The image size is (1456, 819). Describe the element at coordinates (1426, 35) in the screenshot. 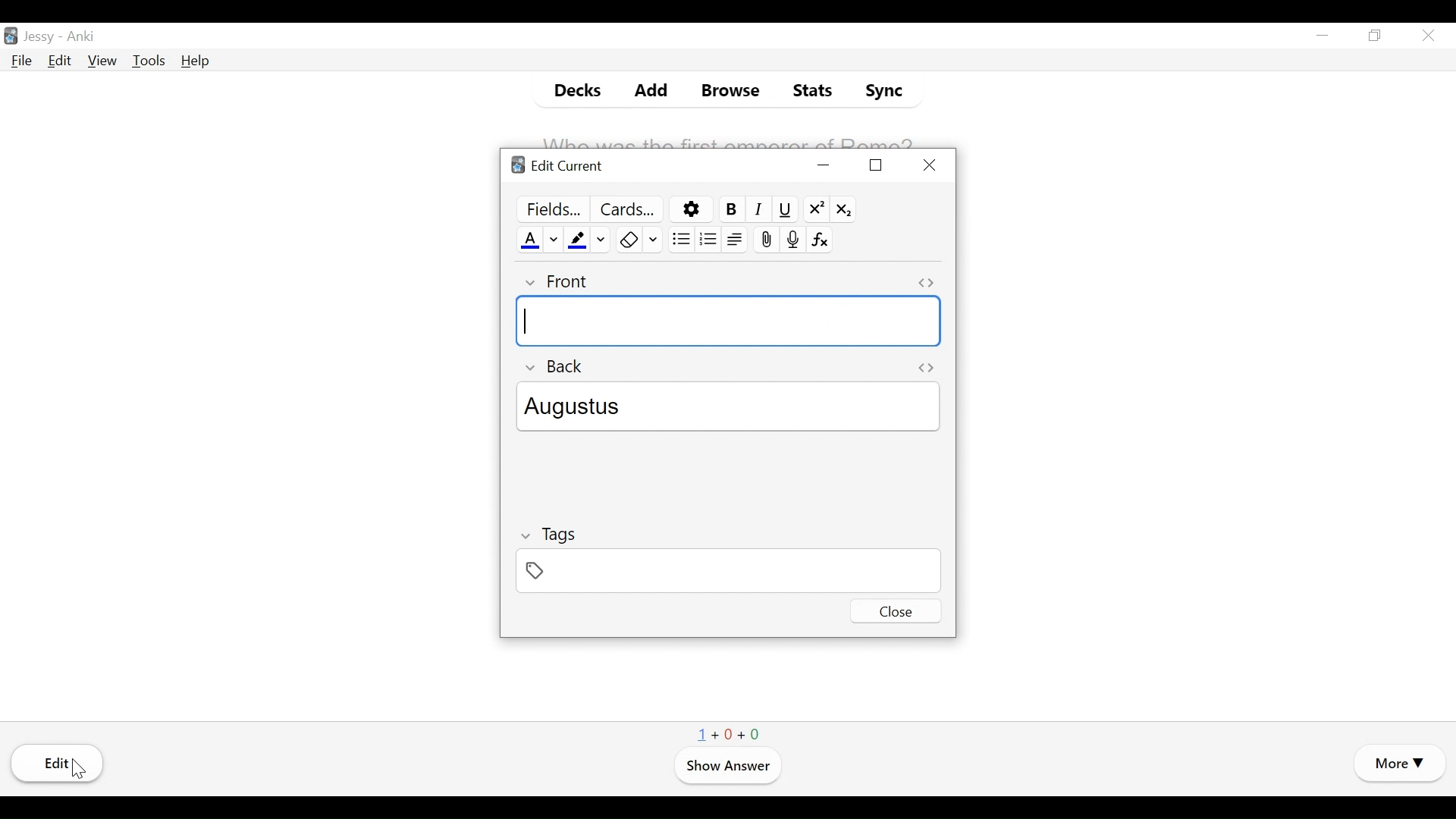

I see `Close` at that location.